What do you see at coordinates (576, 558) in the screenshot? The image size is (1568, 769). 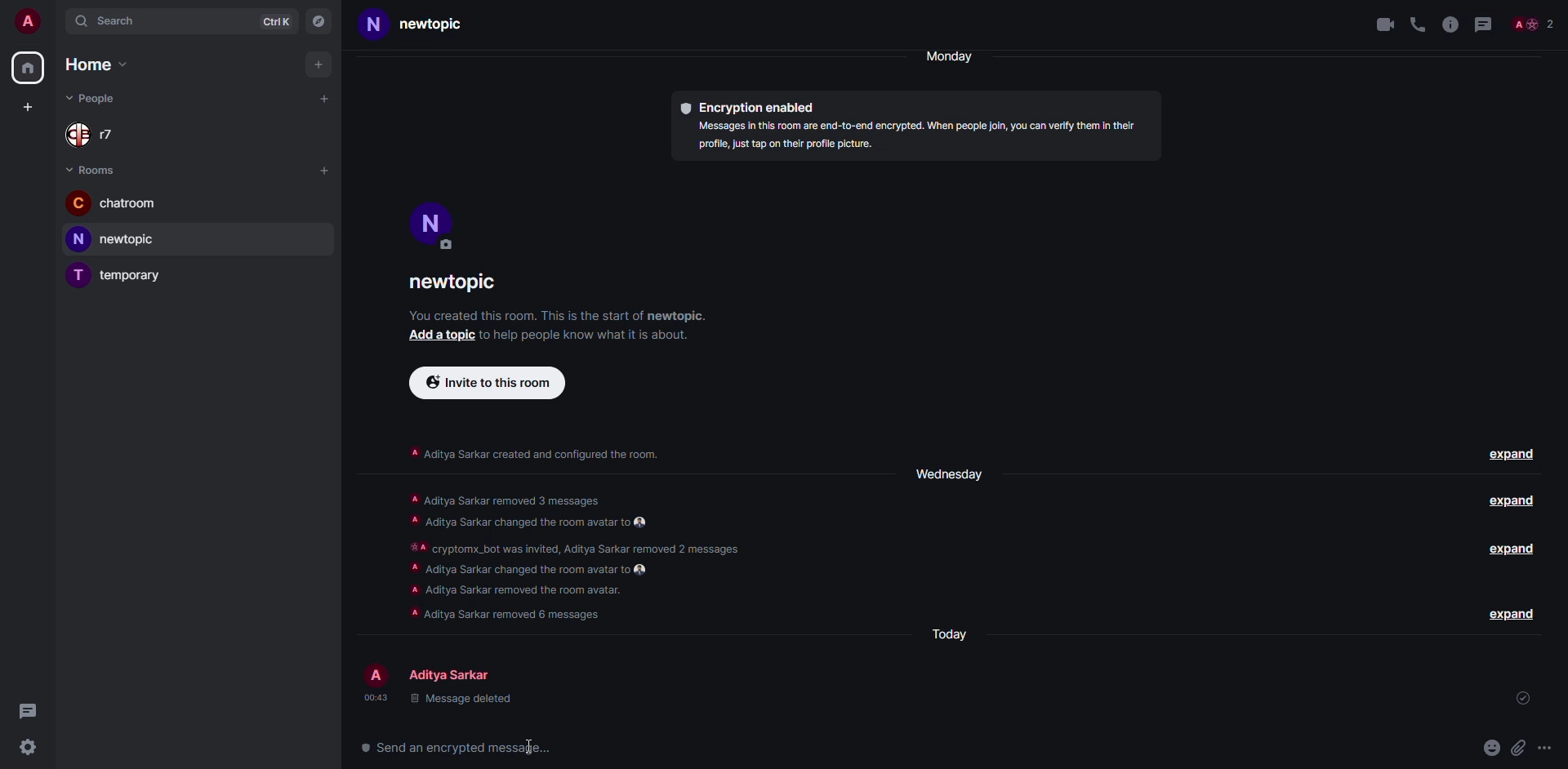 I see `info` at bounding box center [576, 558].